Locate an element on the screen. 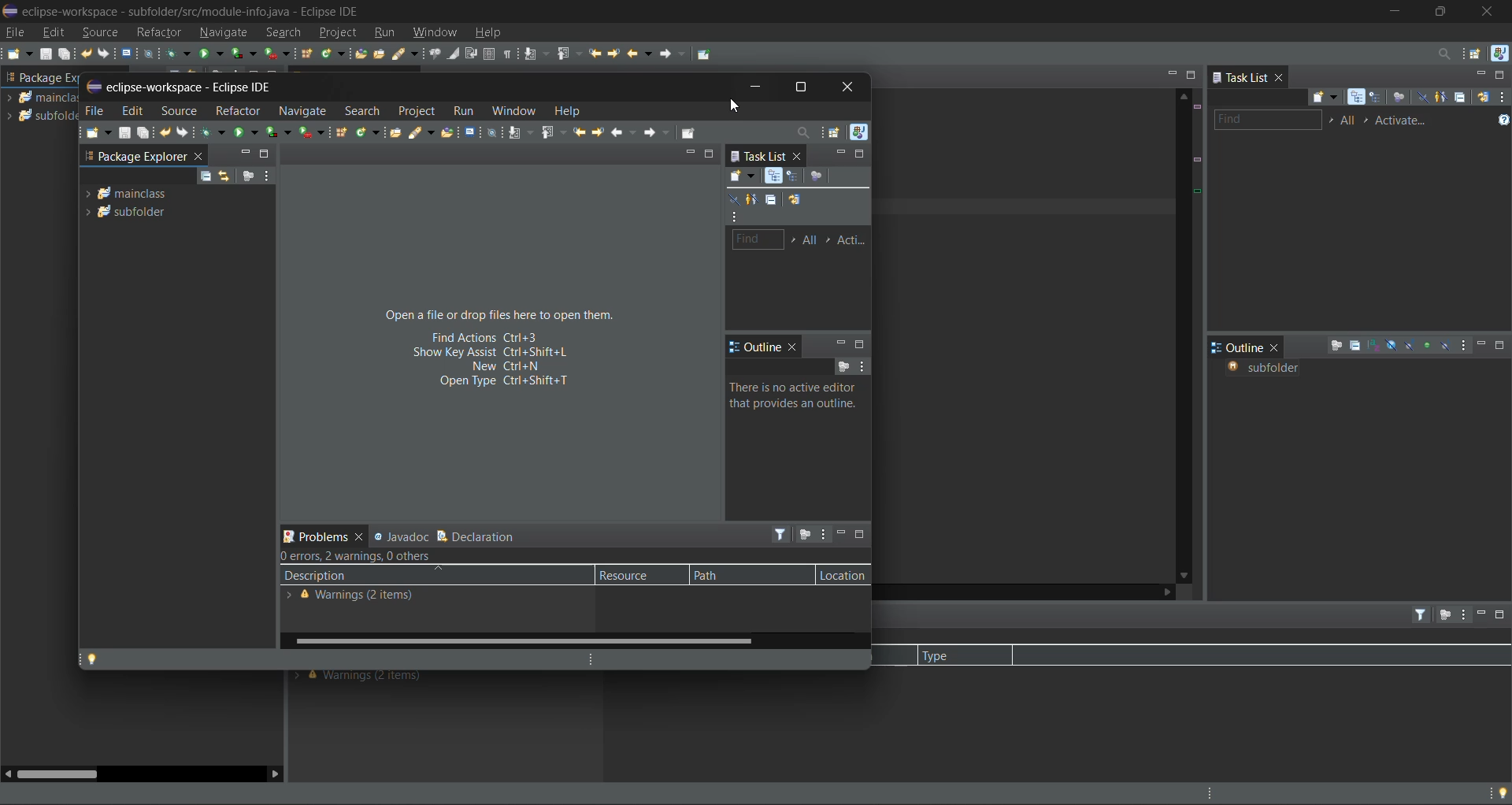 The image size is (1512, 805). new is located at coordinates (17, 54).